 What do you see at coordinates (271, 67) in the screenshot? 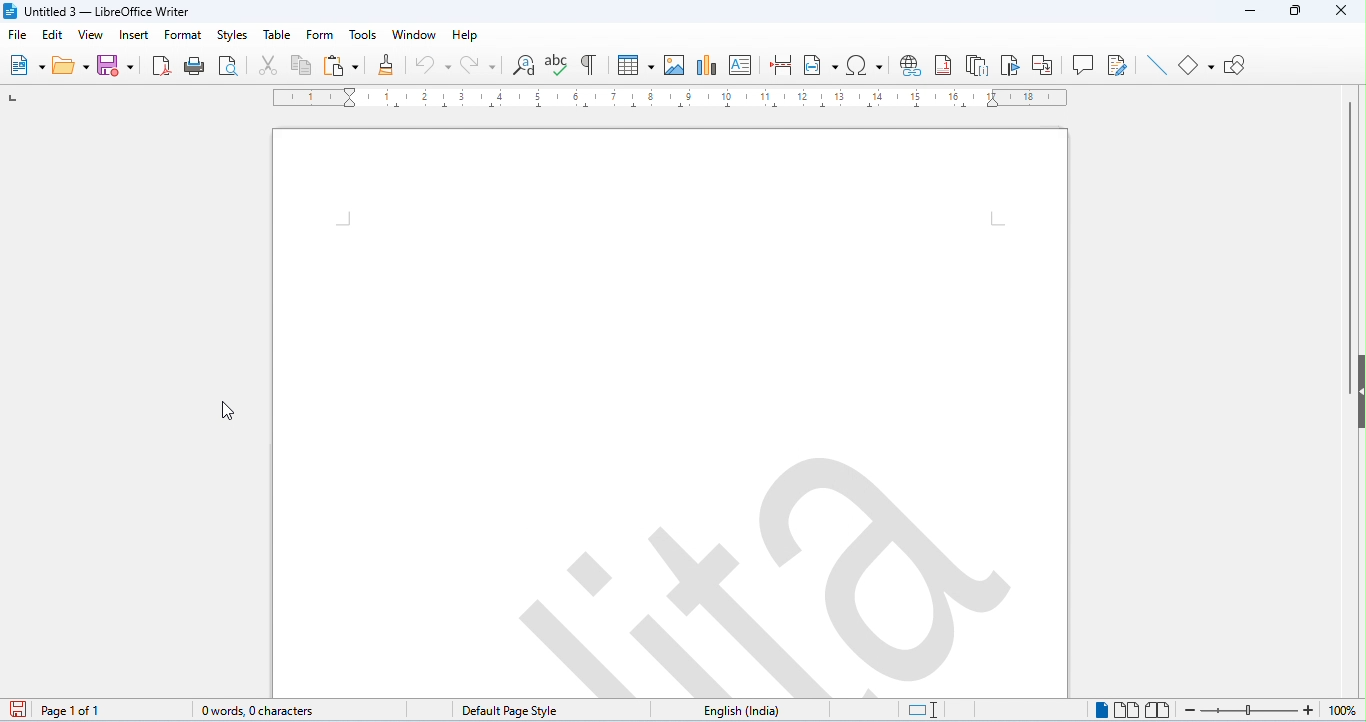
I see `cut` at bounding box center [271, 67].